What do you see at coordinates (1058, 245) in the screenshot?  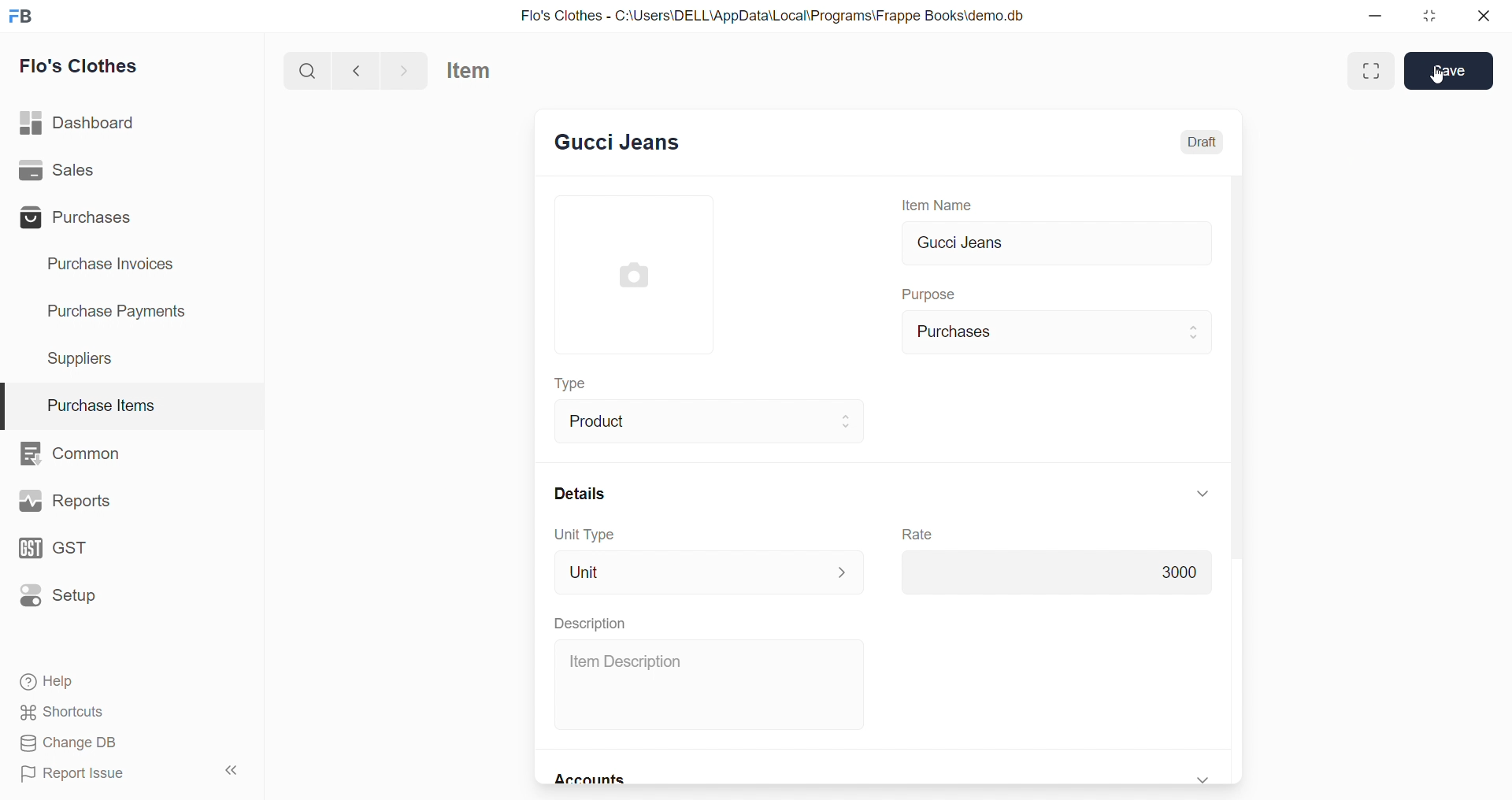 I see `Gucci Jeans` at bounding box center [1058, 245].